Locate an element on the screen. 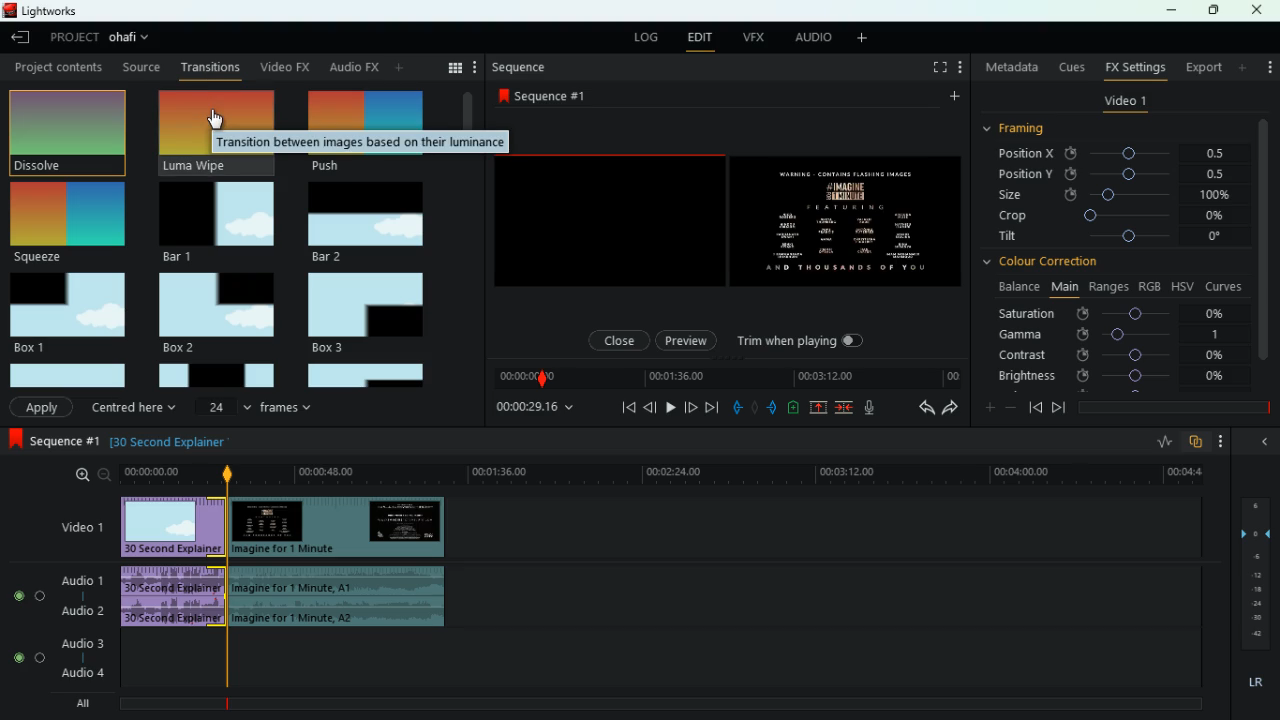 This screenshot has height=720, width=1280. beggining is located at coordinates (622, 407).